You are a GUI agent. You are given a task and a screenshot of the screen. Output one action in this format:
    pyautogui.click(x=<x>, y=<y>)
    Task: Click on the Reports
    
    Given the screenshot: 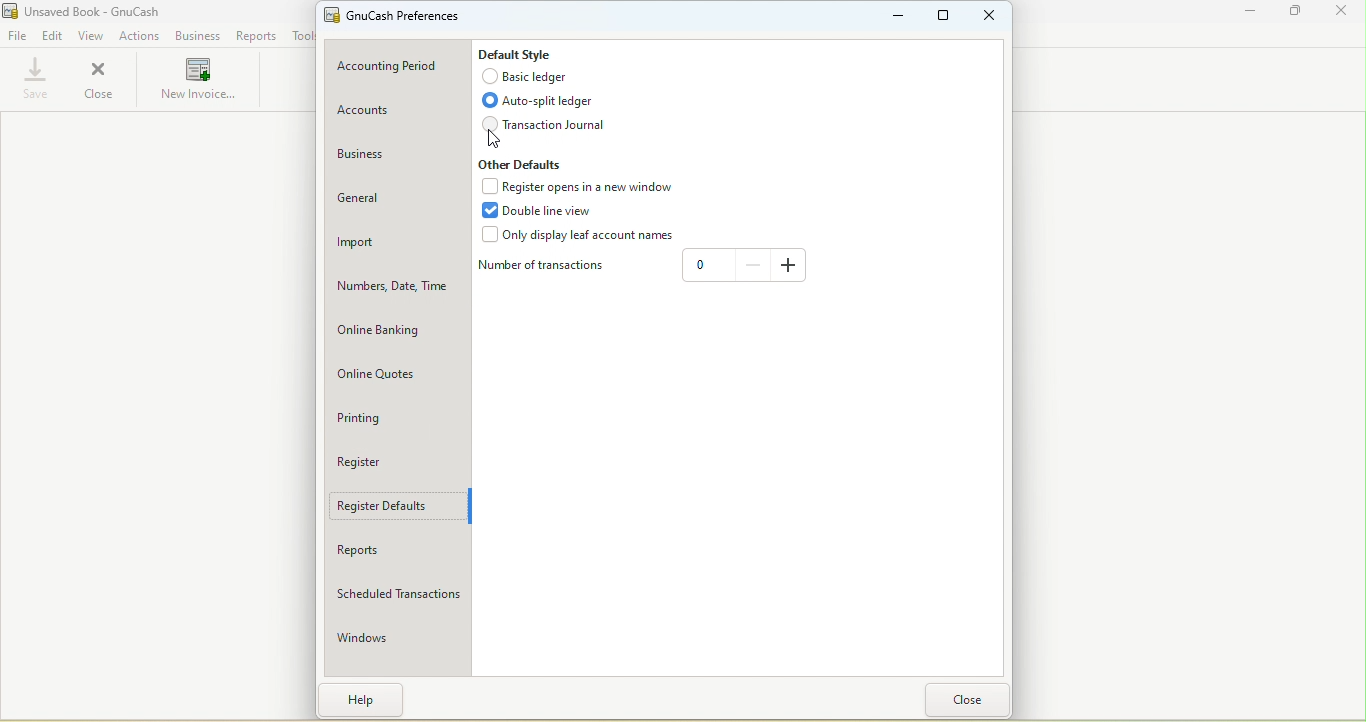 What is the action you would take?
    pyautogui.click(x=395, y=551)
    